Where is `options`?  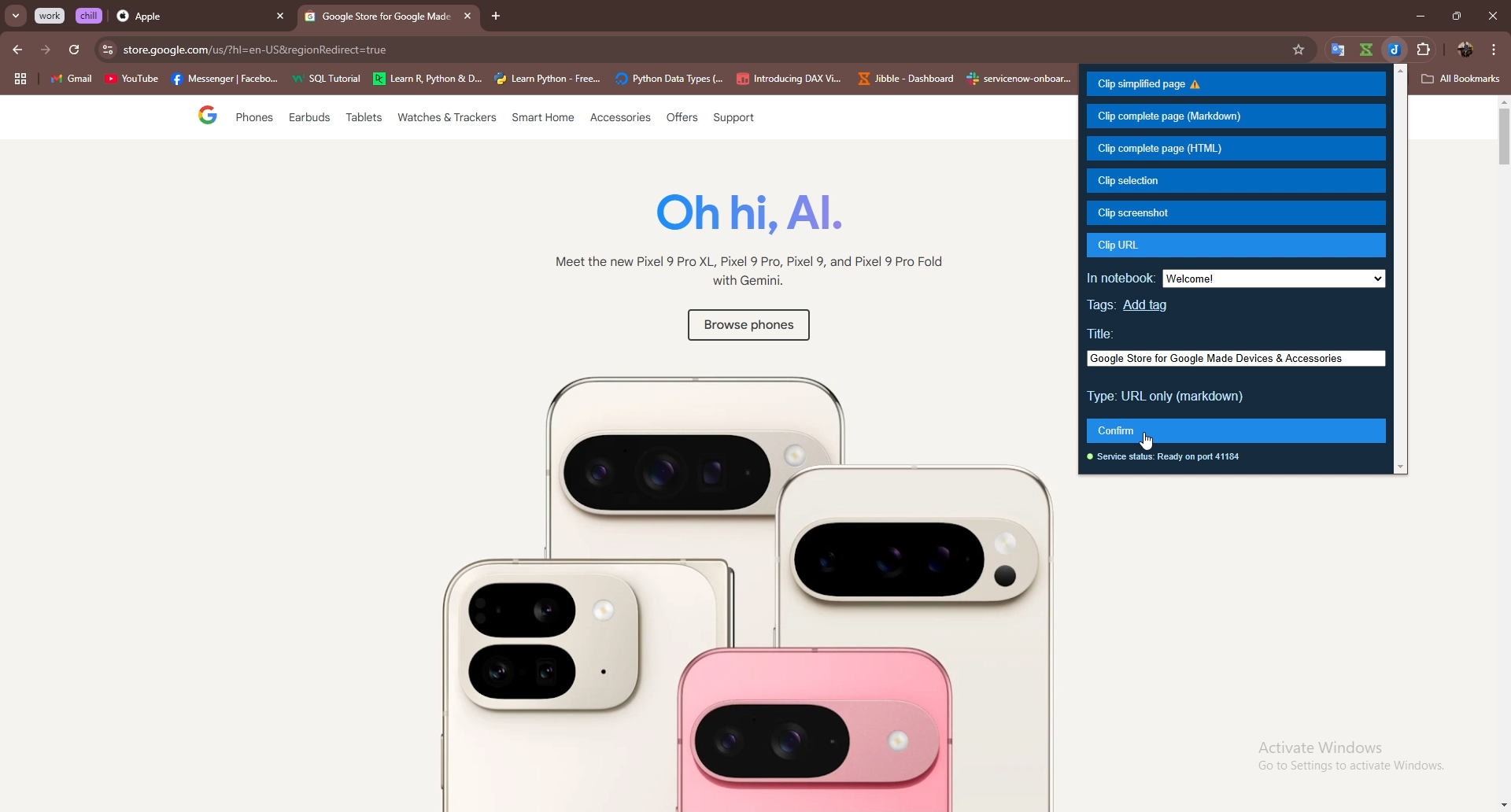
options is located at coordinates (1494, 49).